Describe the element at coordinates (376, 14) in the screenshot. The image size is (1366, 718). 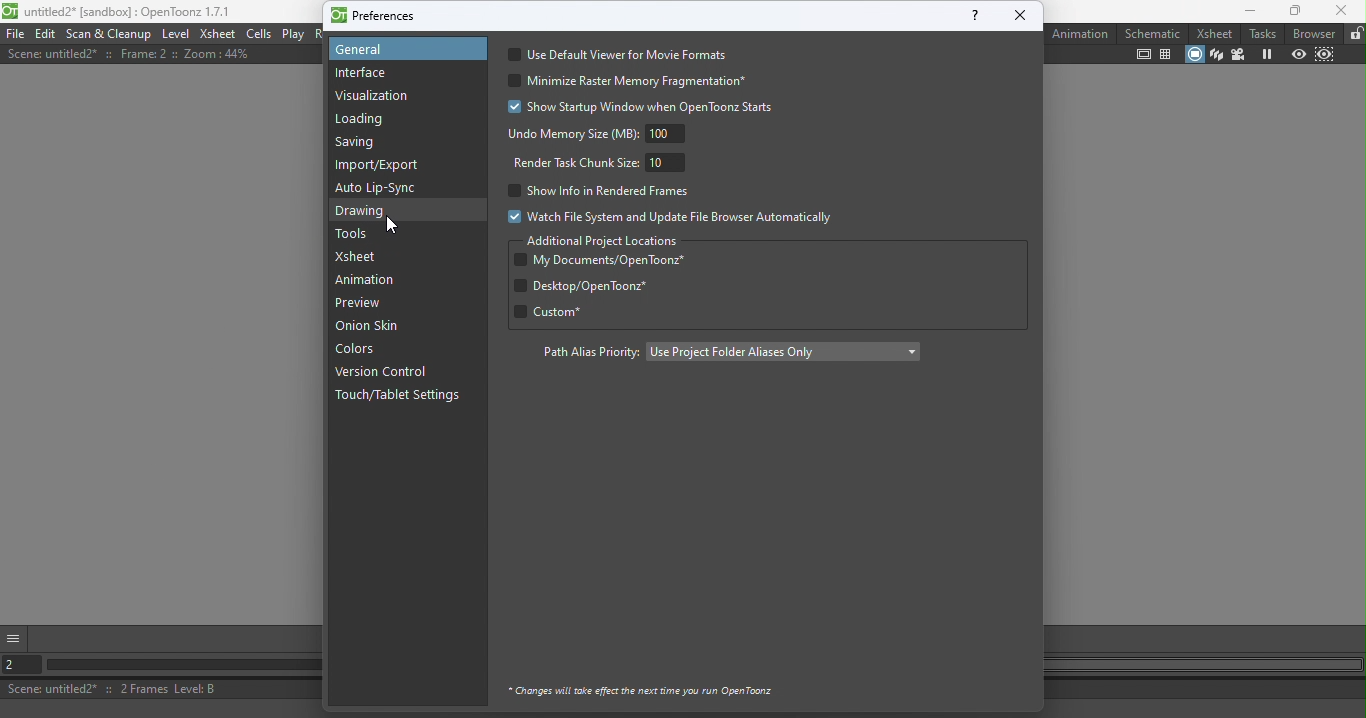
I see `Preferences` at that location.